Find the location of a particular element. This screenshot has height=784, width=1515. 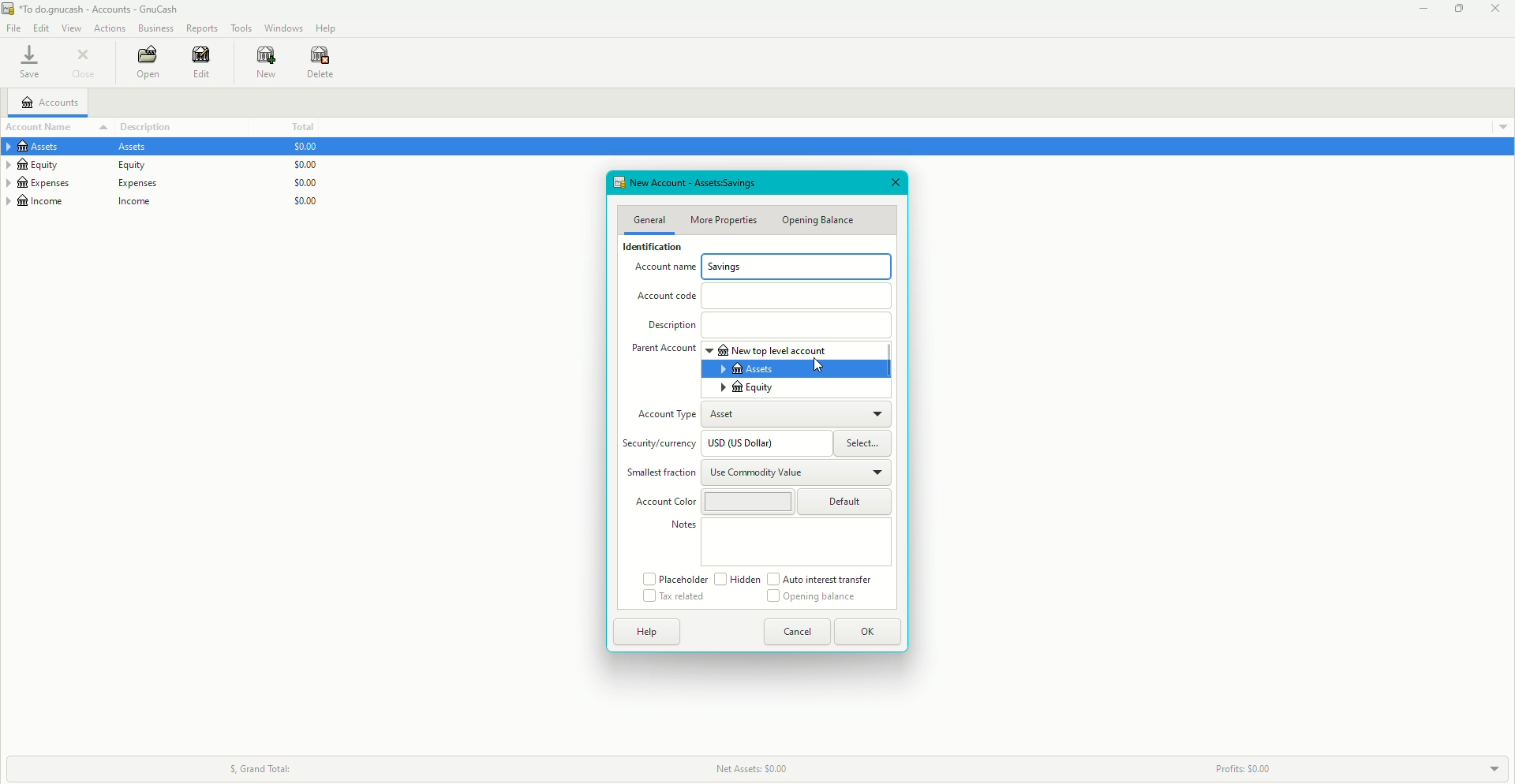

Assets is located at coordinates (84, 148).